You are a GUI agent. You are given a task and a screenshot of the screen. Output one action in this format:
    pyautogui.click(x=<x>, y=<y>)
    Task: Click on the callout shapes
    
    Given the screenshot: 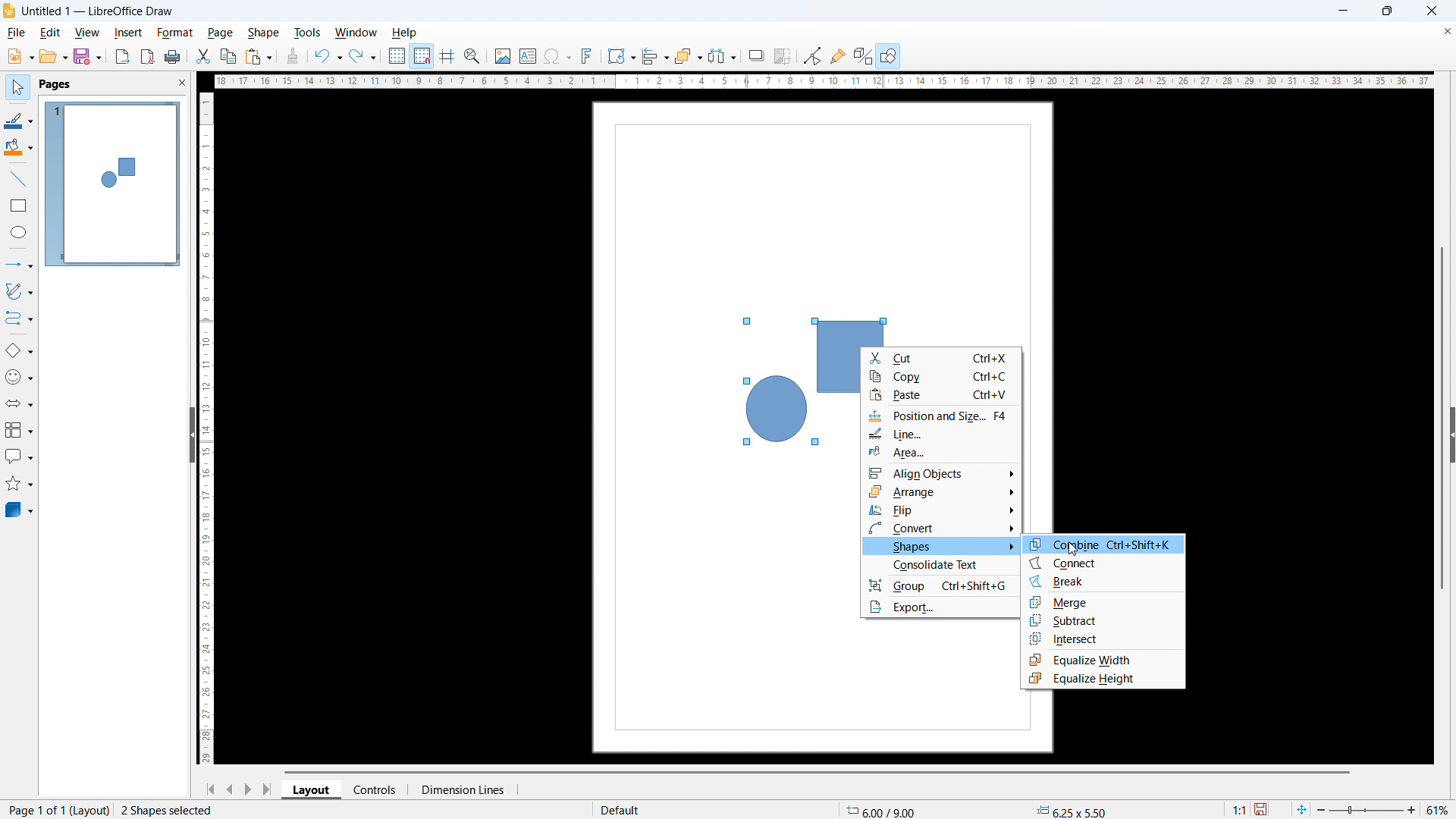 What is the action you would take?
    pyautogui.click(x=18, y=457)
    